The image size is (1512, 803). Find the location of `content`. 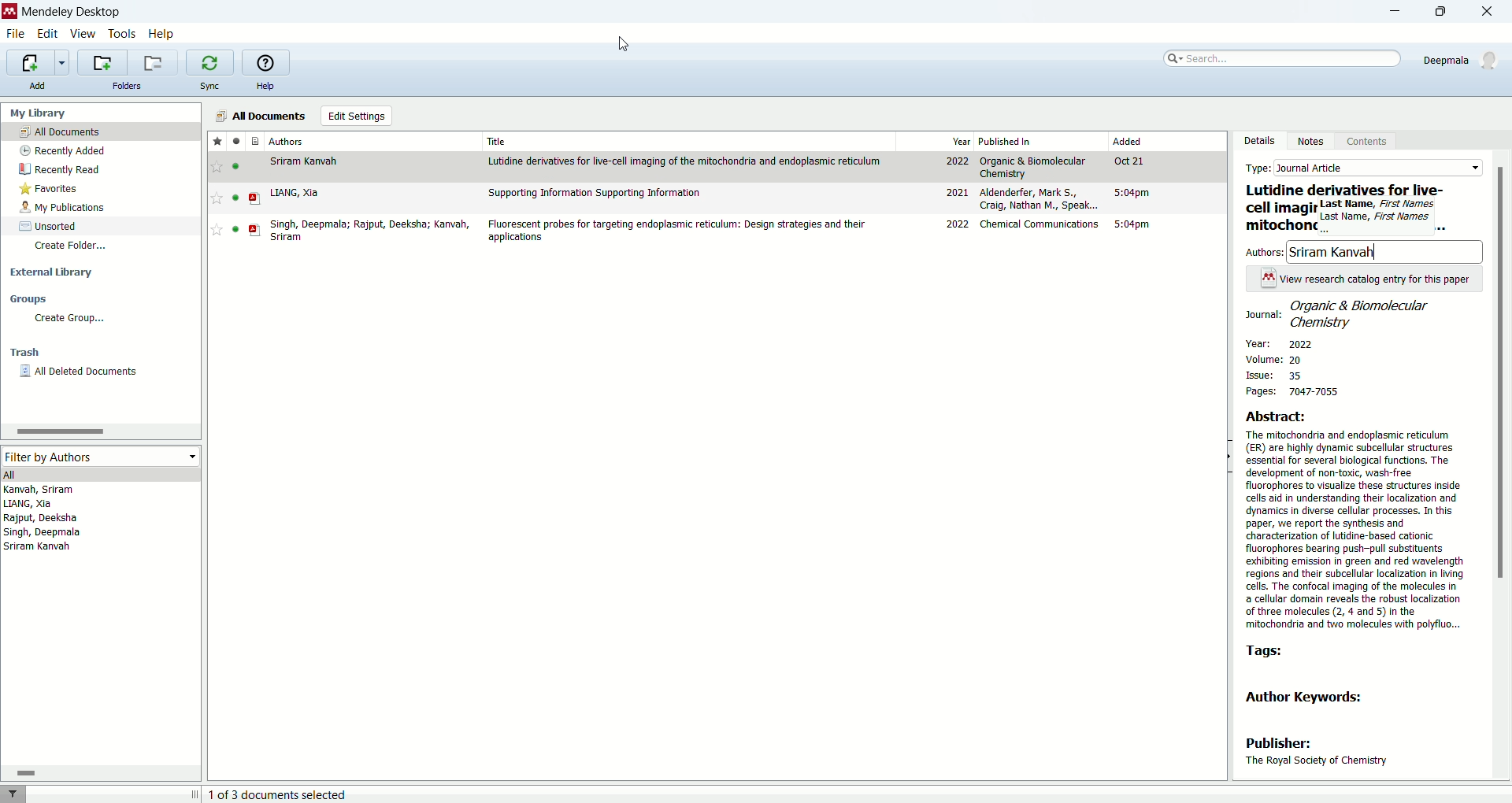

content is located at coordinates (1364, 142).